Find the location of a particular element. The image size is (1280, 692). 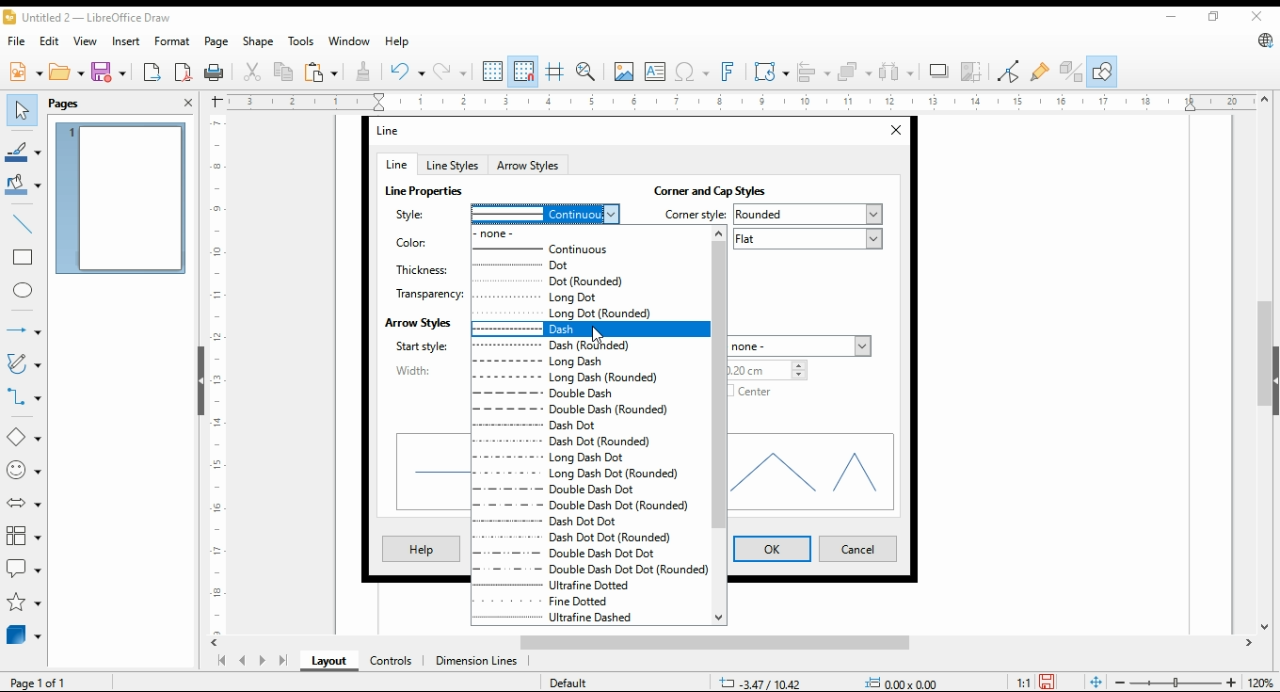

double dash dot dot  is located at coordinates (576, 553).